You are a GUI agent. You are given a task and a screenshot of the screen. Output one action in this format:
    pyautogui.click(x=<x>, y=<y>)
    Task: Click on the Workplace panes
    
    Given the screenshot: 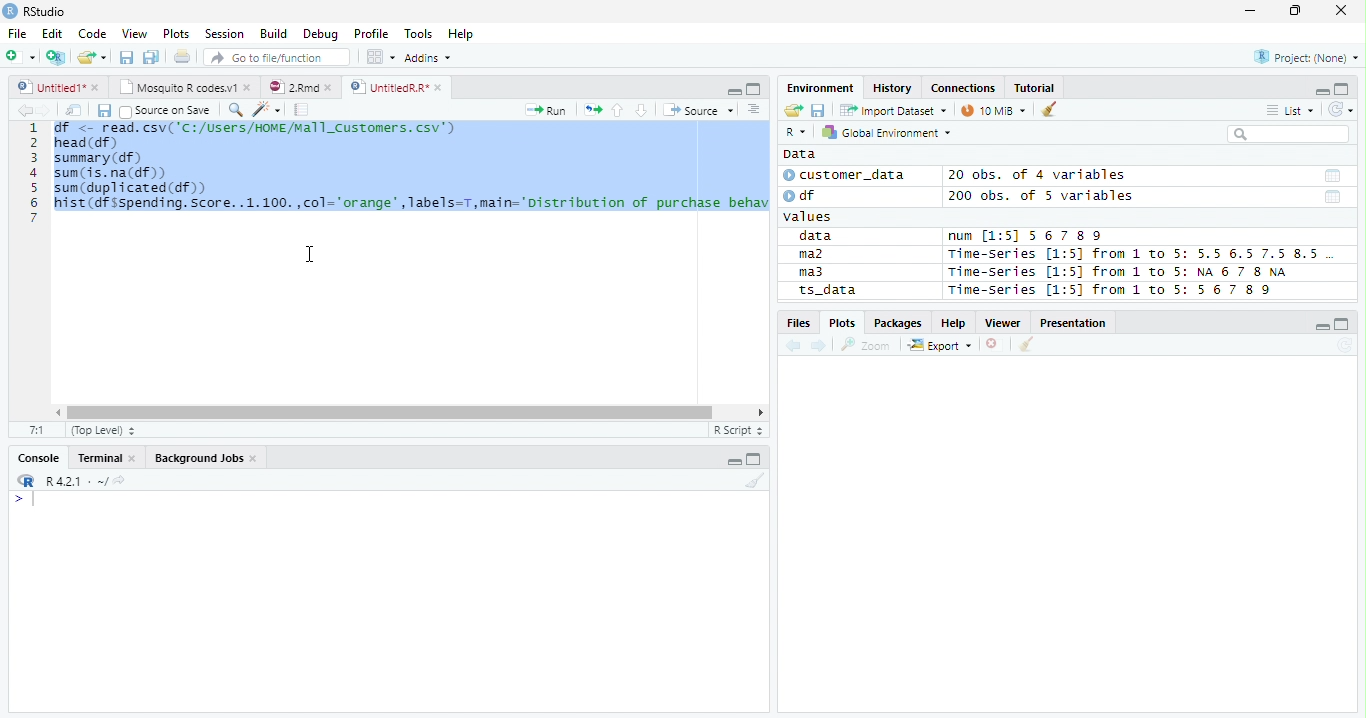 What is the action you would take?
    pyautogui.click(x=380, y=57)
    